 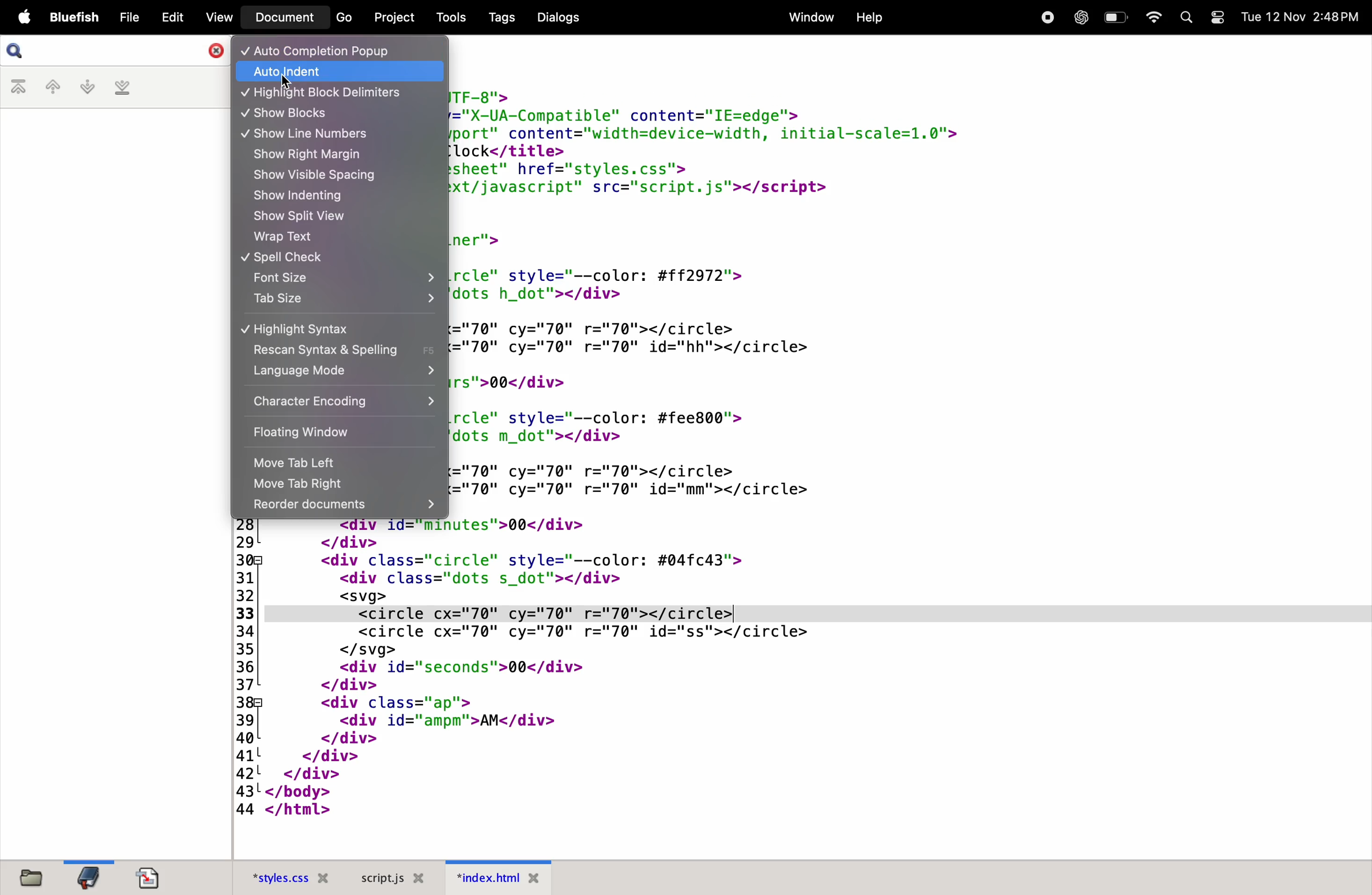 What do you see at coordinates (338, 351) in the screenshot?
I see `rescan syntax & spelling` at bounding box center [338, 351].